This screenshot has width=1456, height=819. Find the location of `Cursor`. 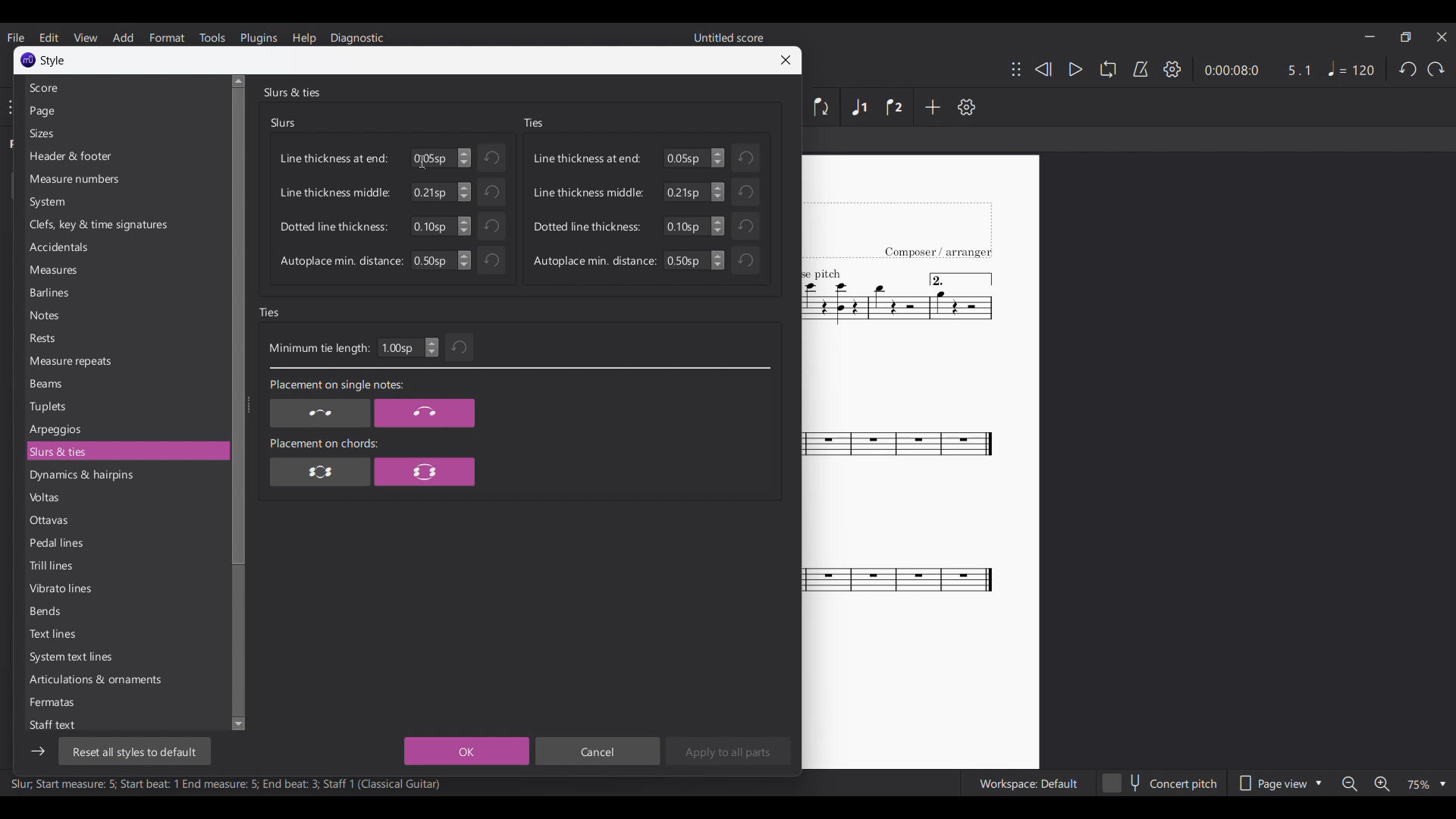

Cursor is located at coordinates (422, 162).